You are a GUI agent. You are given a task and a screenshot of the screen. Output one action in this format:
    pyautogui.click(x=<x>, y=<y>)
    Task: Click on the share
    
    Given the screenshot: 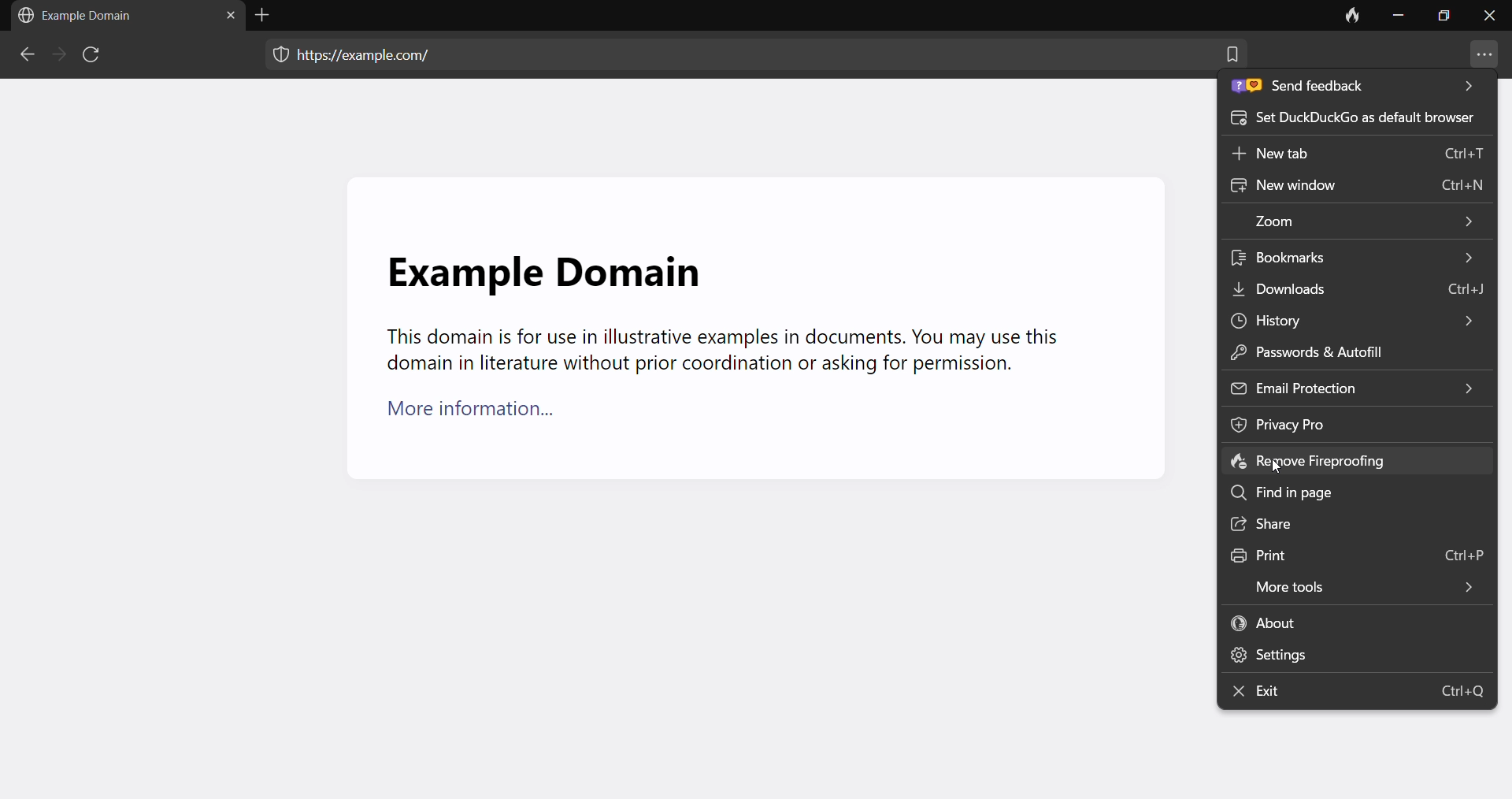 What is the action you would take?
    pyautogui.click(x=1355, y=523)
    